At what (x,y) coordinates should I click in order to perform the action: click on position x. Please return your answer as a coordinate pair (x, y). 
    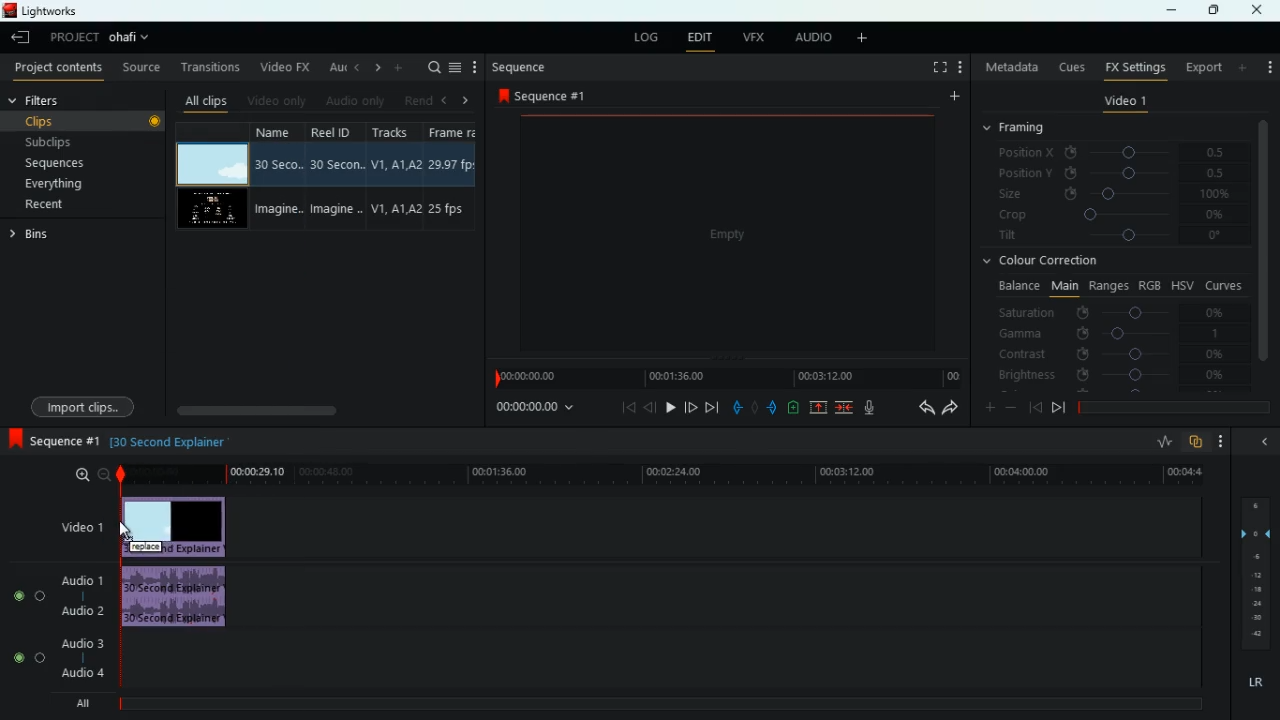
    Looking at the image, I should click on (1116, 152).